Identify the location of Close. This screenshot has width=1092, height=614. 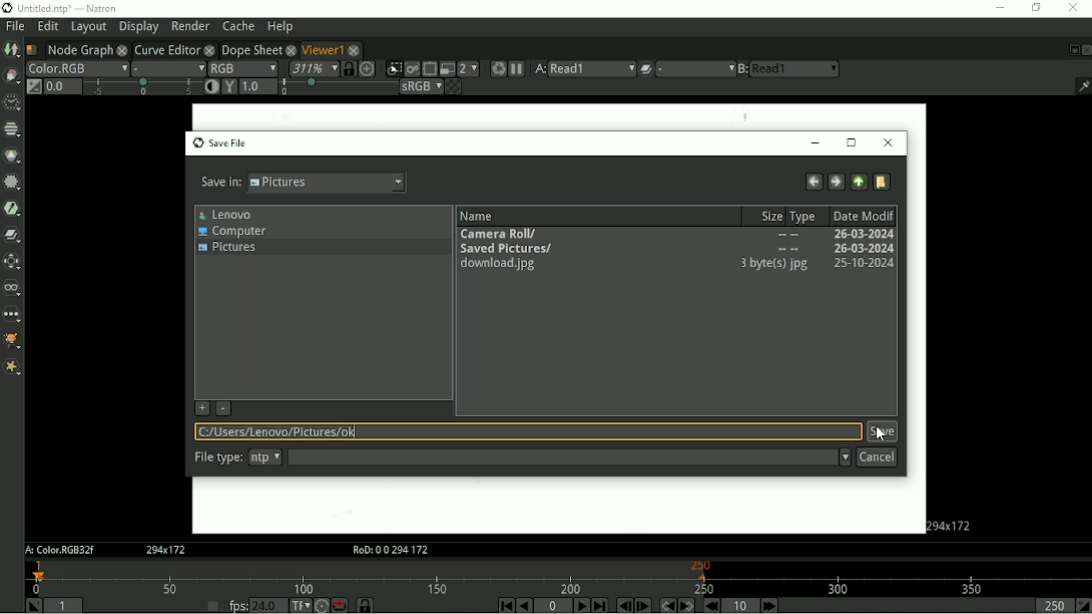
(888, 143).